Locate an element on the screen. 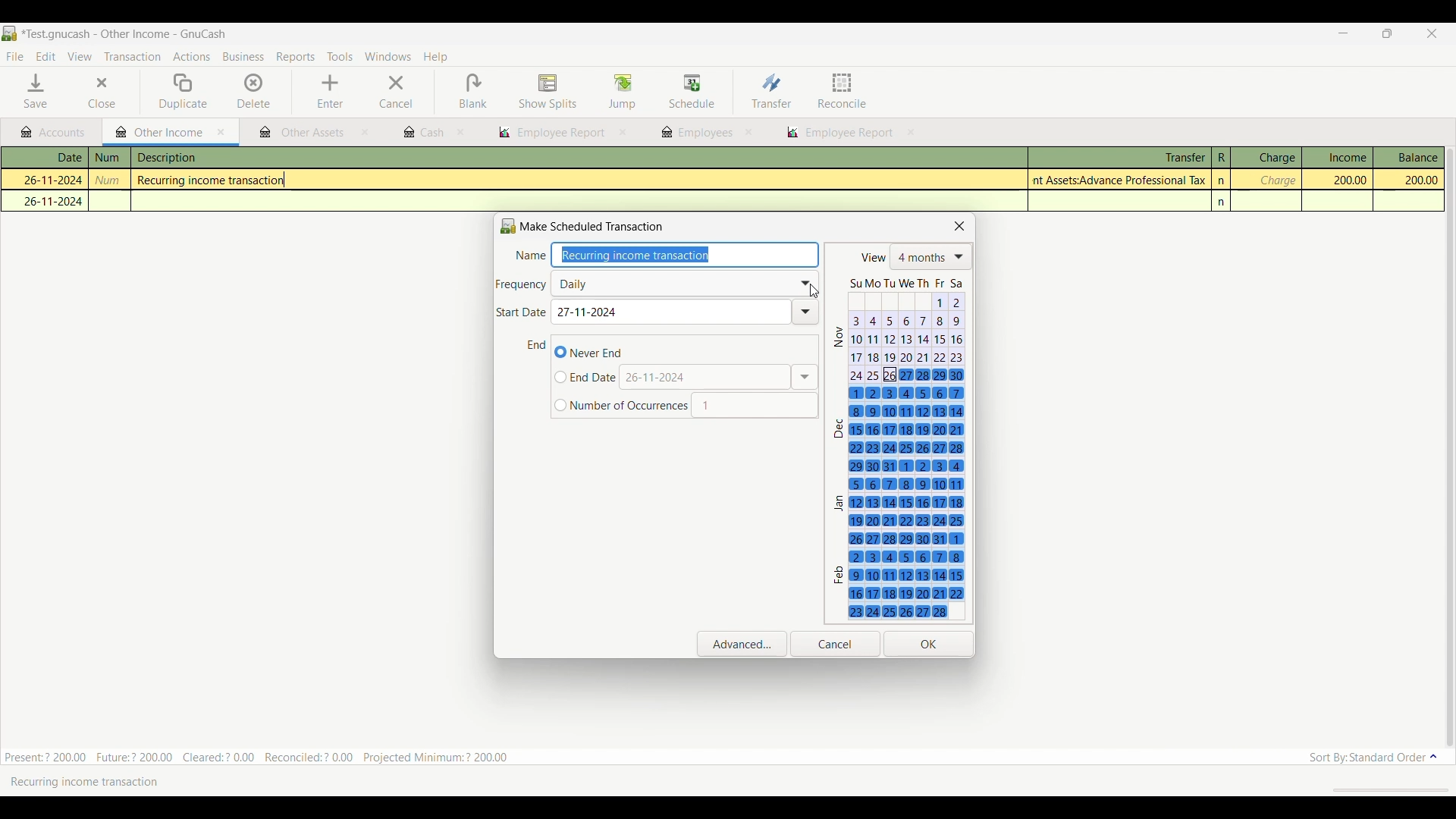 This screenshot has width=1456, height=819. close is located at coordinates (365, 134).